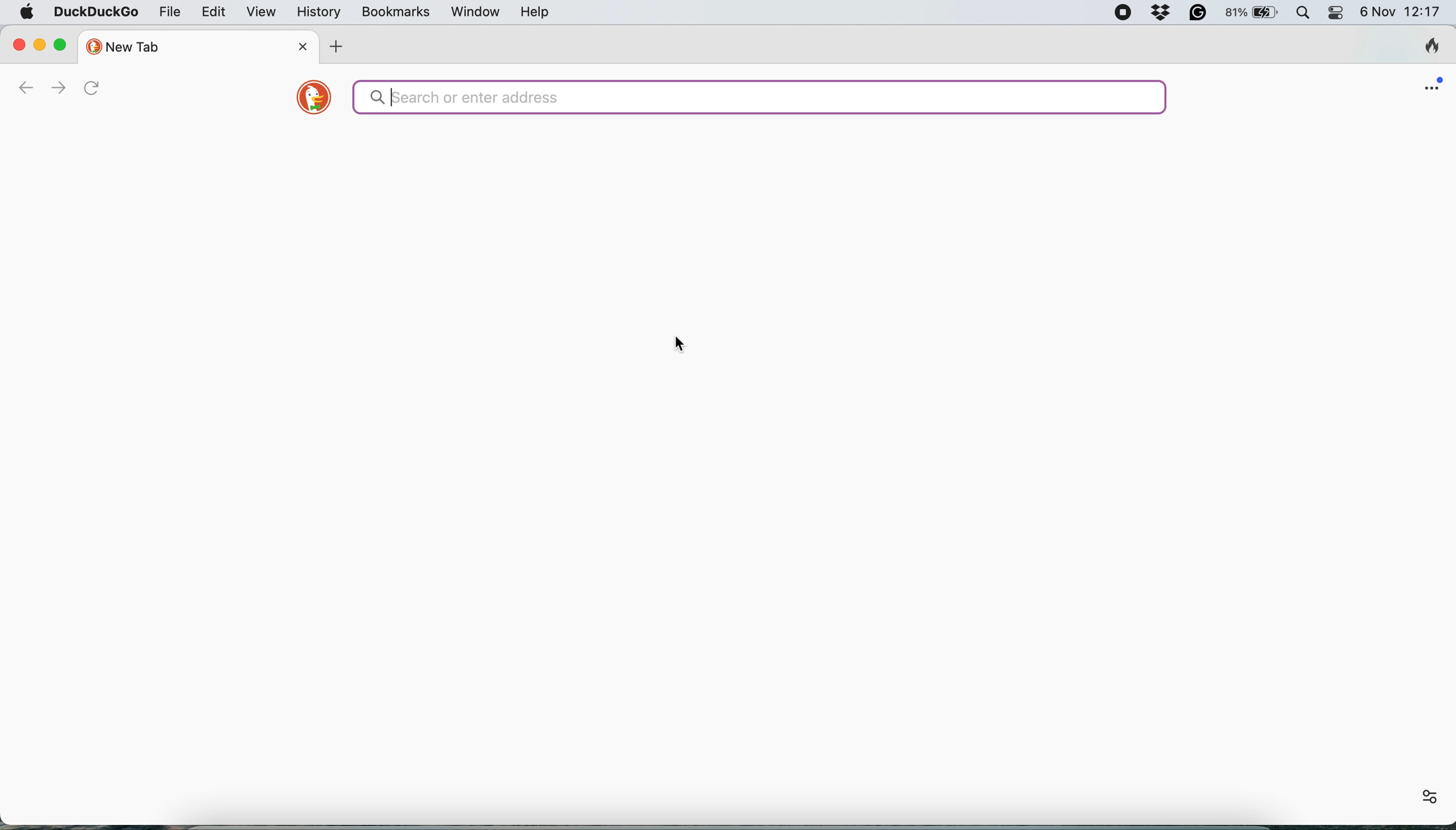 This screenshot has width=1456, height=830. I want to click on system logo, so click(27, 13).